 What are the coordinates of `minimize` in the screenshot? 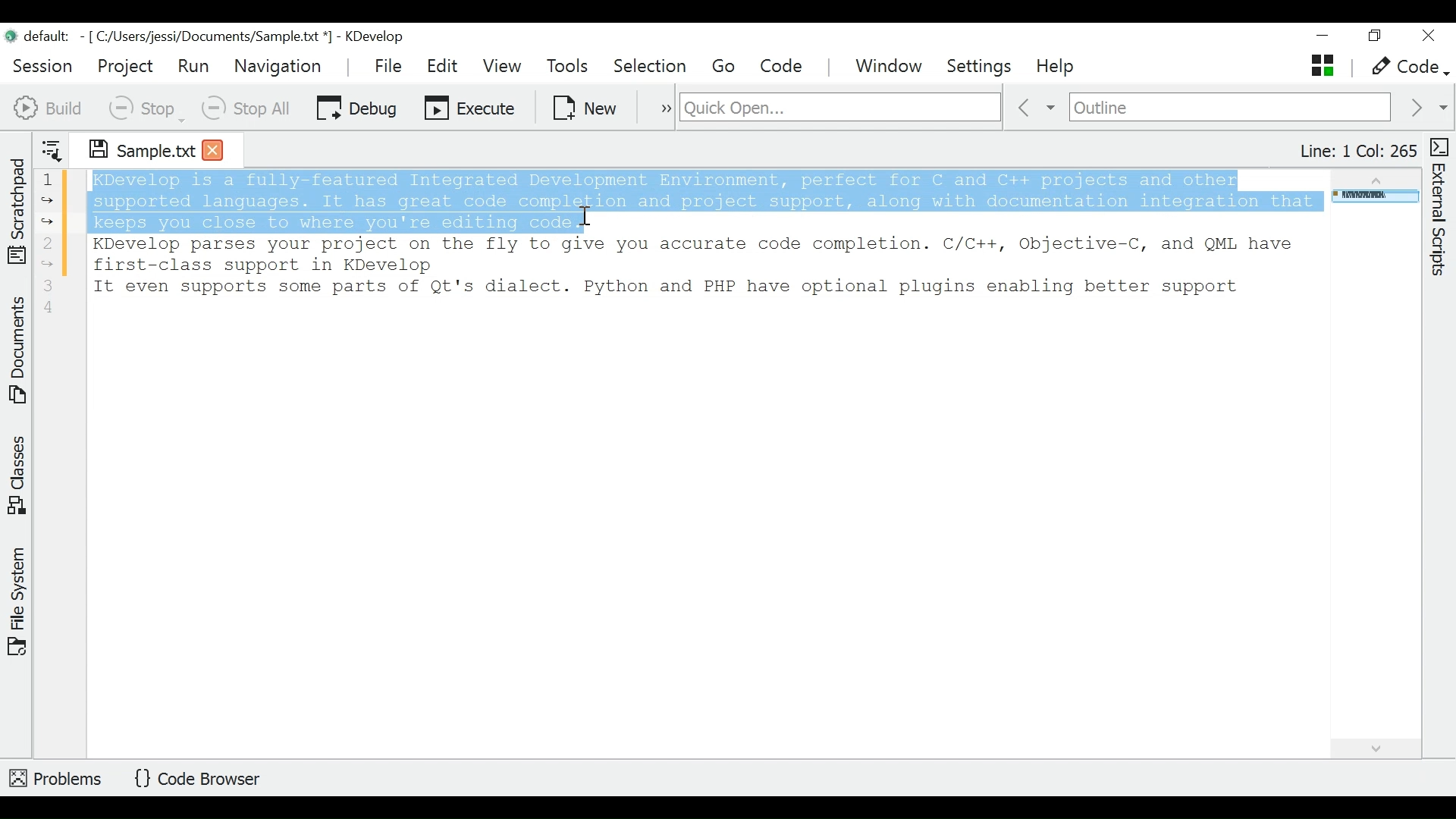 It's located at (1325, 37).